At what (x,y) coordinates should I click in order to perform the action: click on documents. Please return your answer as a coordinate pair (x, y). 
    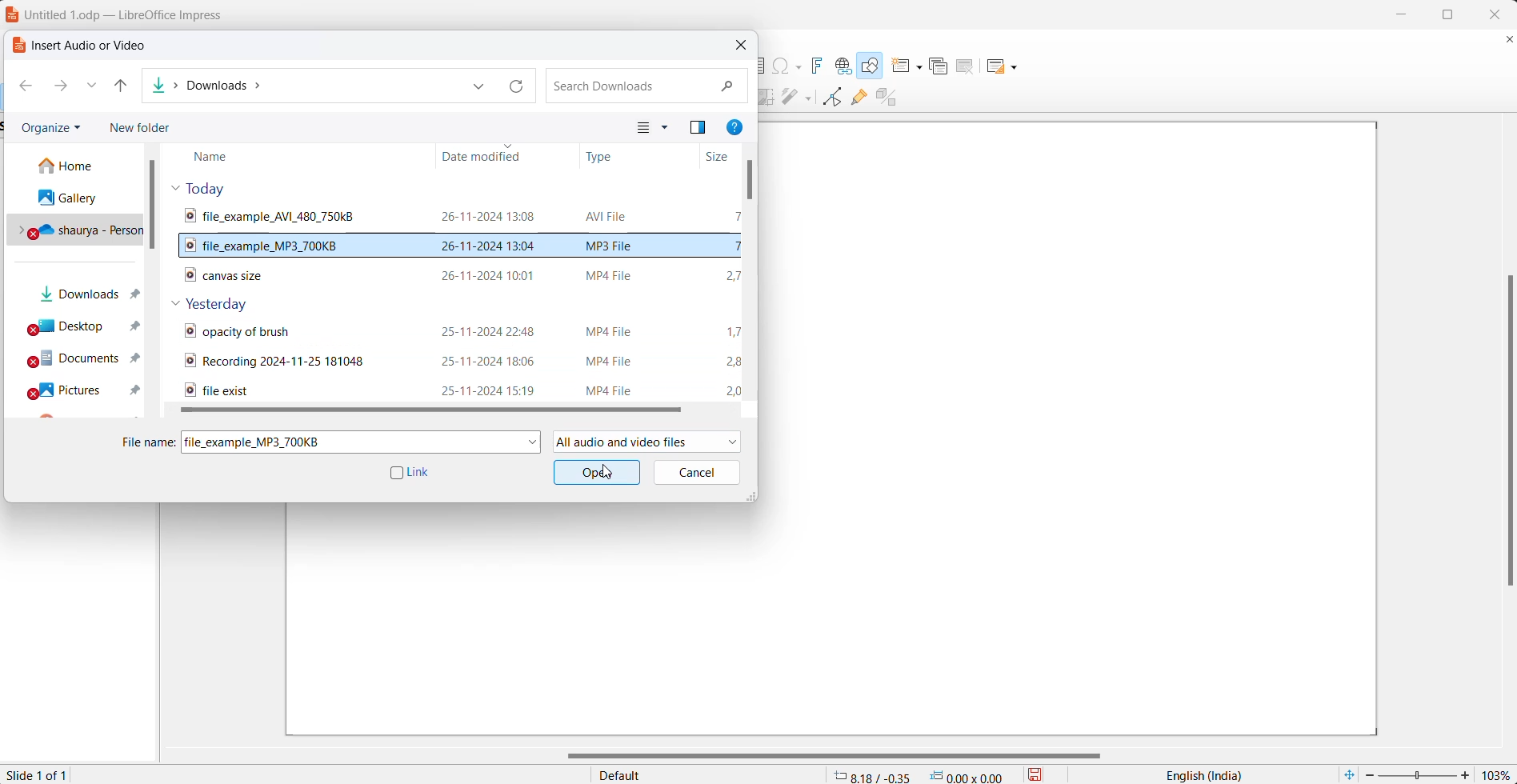
    Looking at the image, I should click on (85, 359).